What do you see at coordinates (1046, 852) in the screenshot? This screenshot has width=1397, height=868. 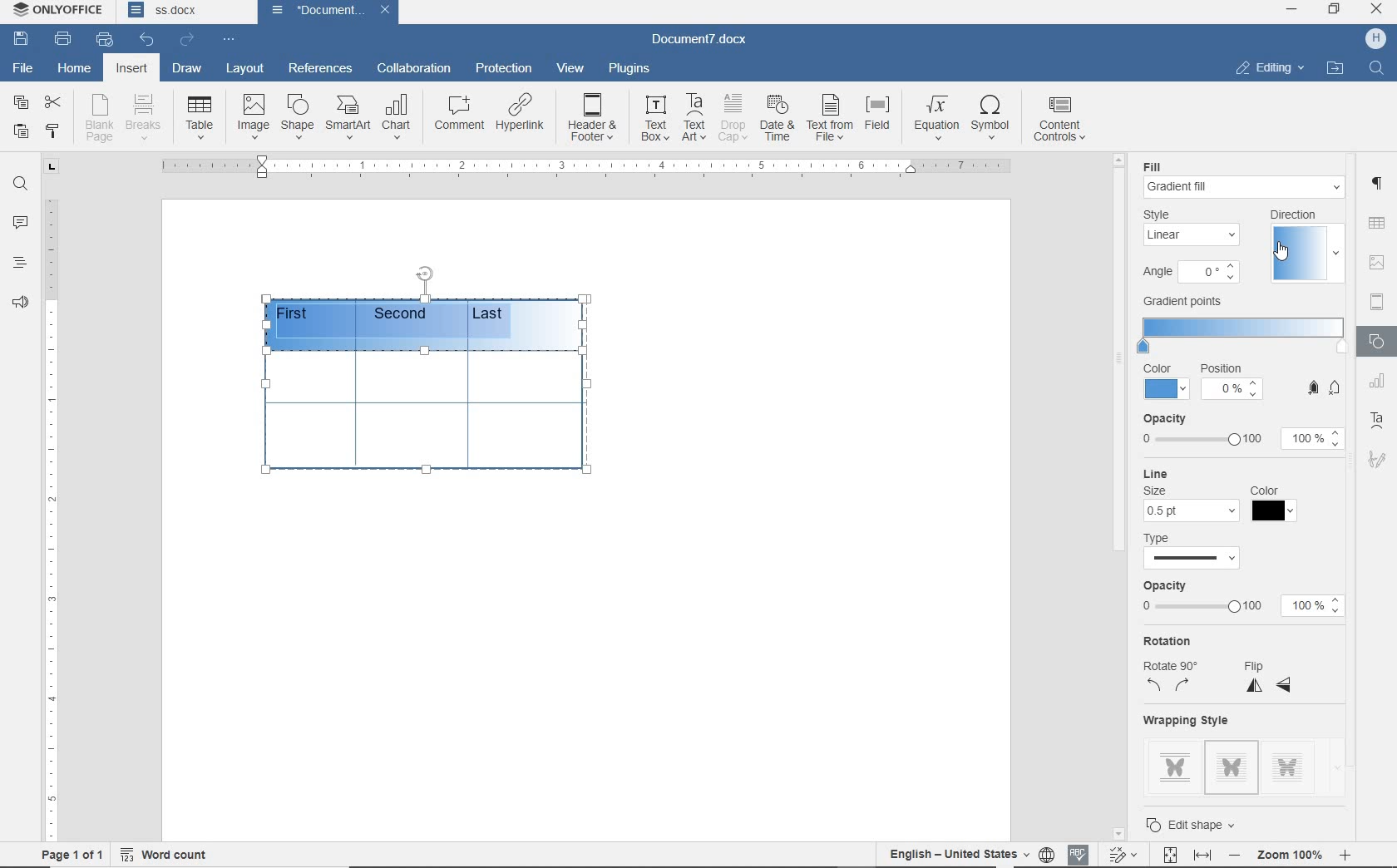 I see `set document language` at bounding box center [1046, 852].